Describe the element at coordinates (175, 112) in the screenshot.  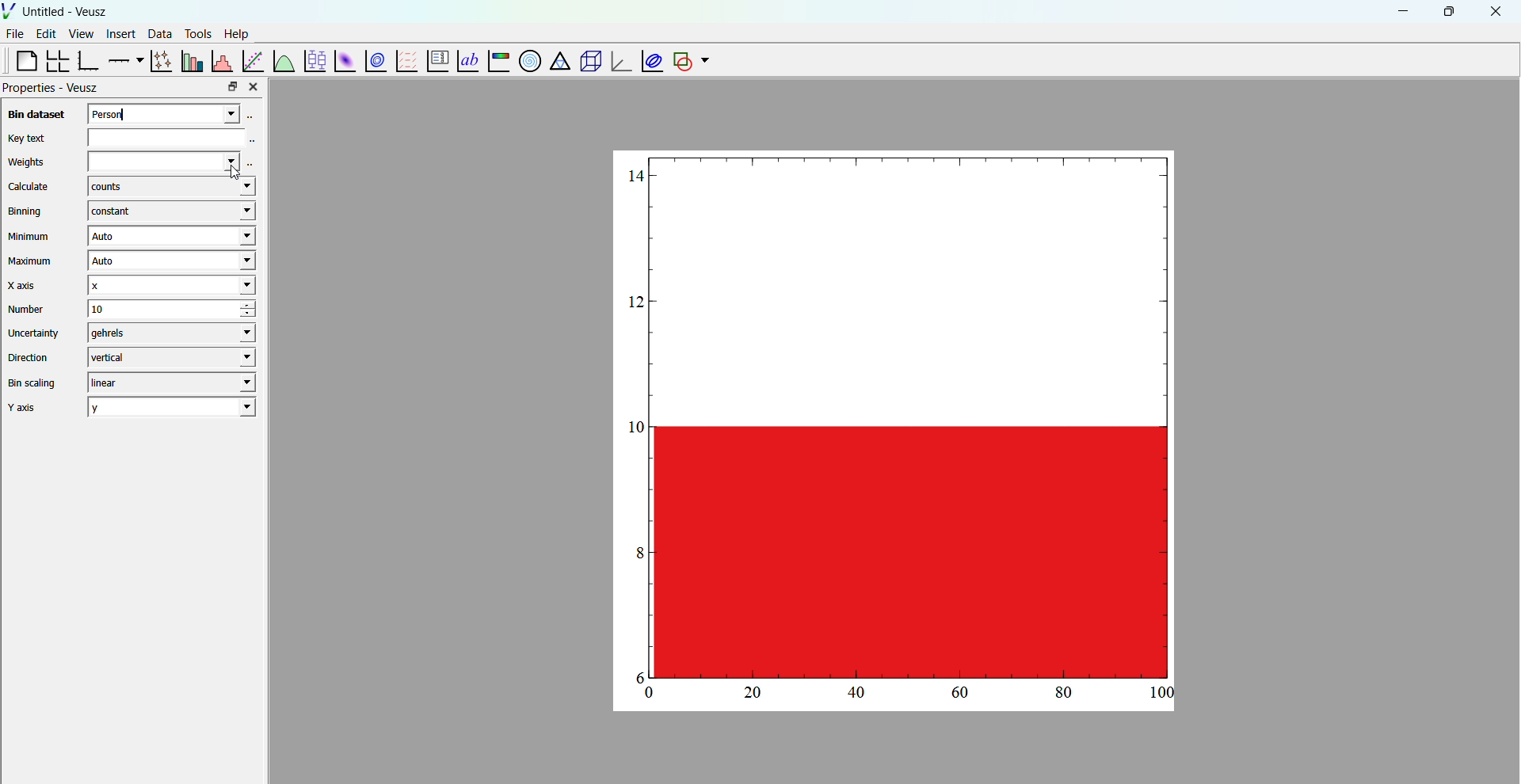
I see `"person" data selected` at that location.